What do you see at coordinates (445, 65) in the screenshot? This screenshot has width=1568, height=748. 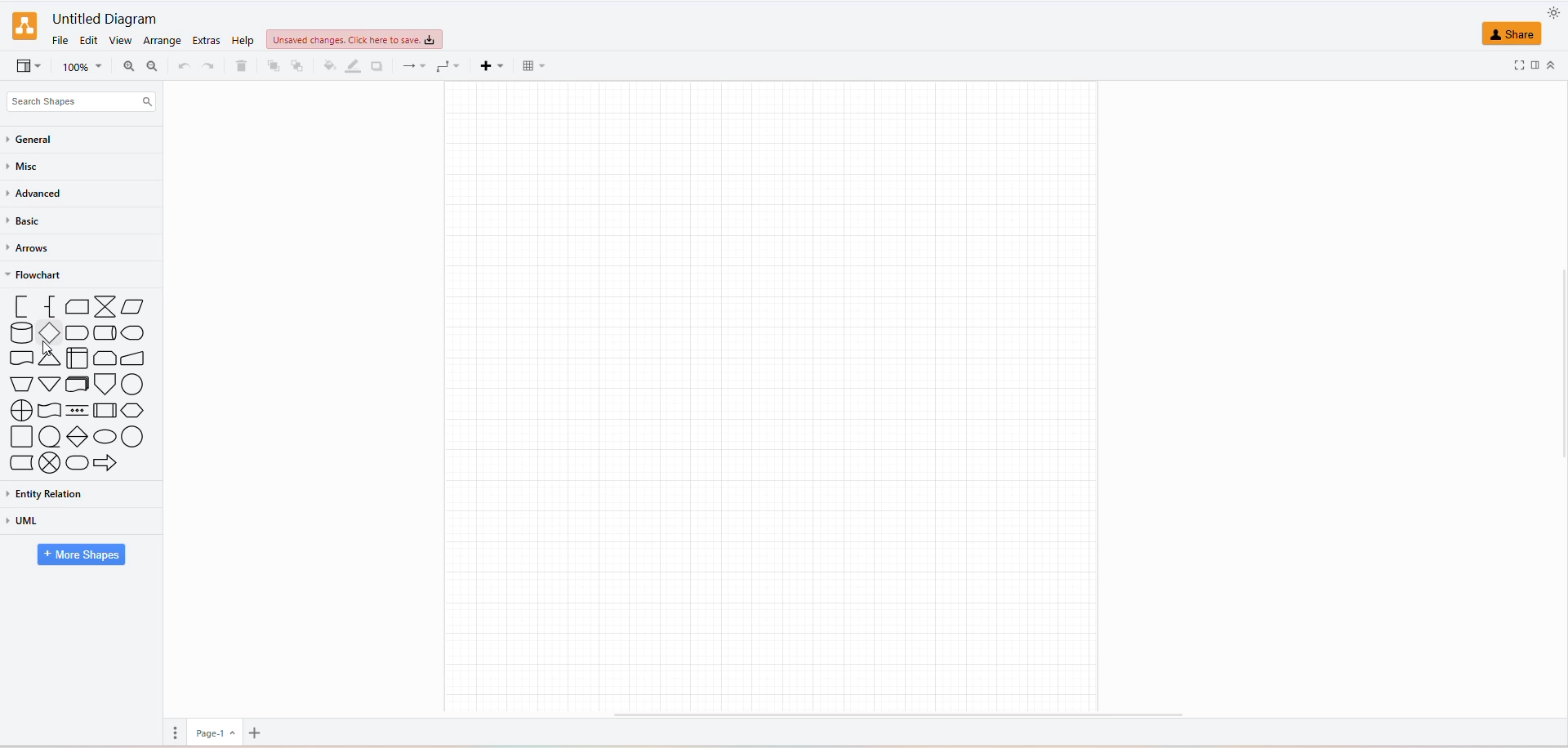 I see `WAYPOINTS` at bounding box center [445, 65].